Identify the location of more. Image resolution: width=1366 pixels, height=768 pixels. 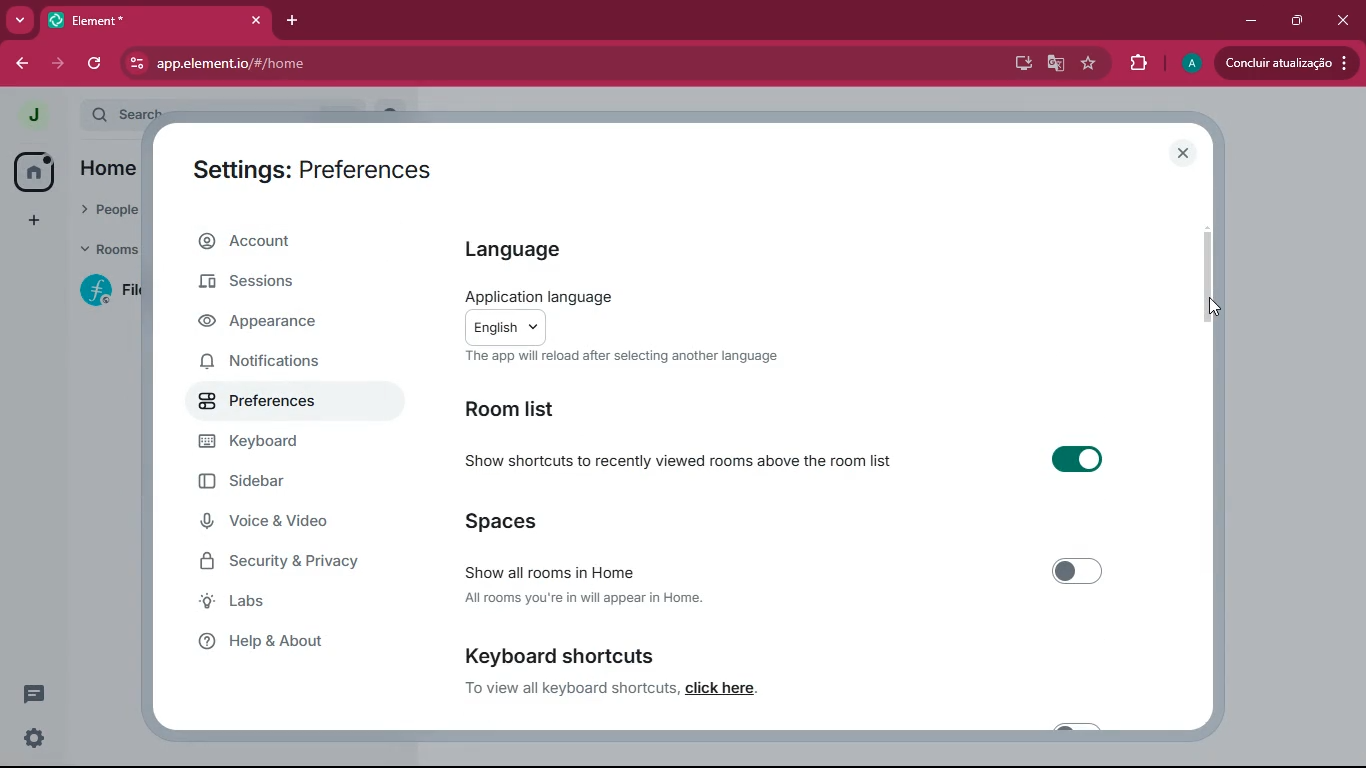
(16, 21).